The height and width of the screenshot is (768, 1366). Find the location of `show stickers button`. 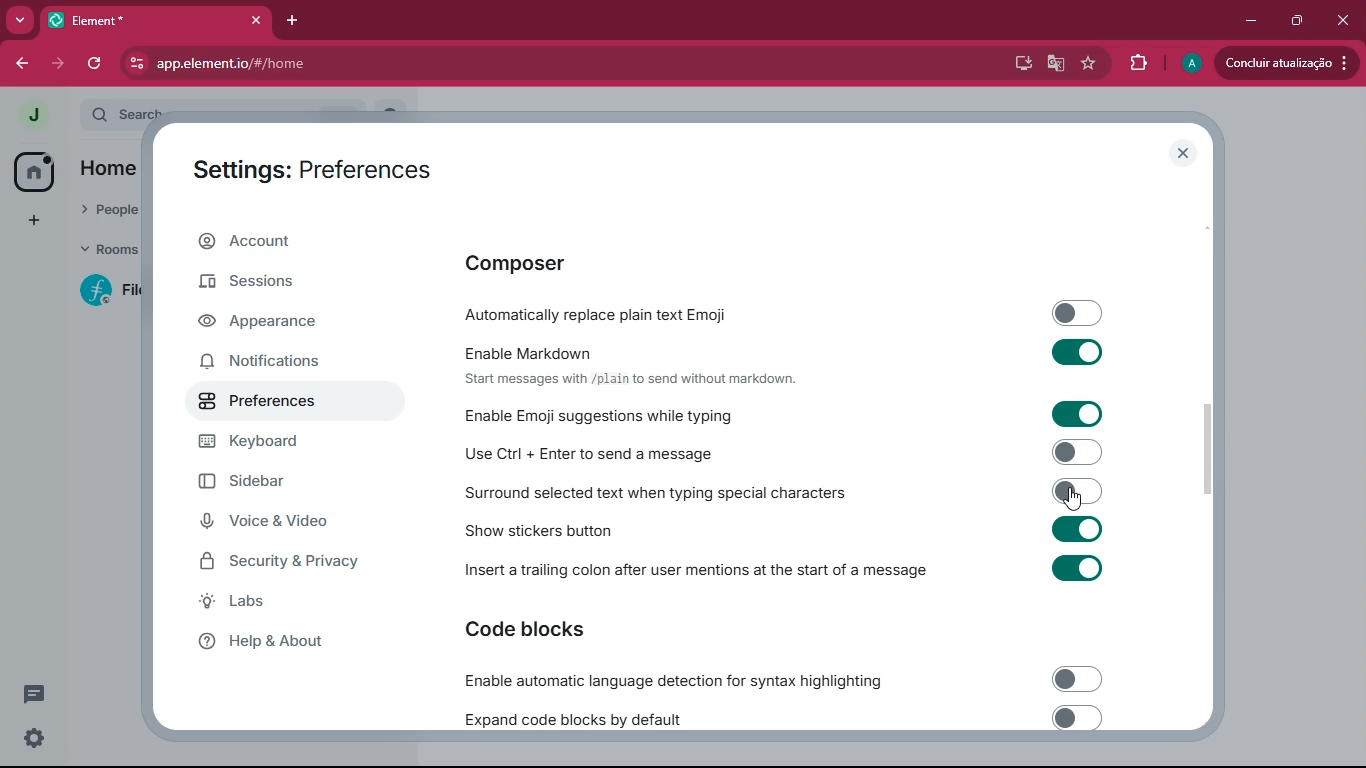

show stickers button is located at coordinates (789, 527).